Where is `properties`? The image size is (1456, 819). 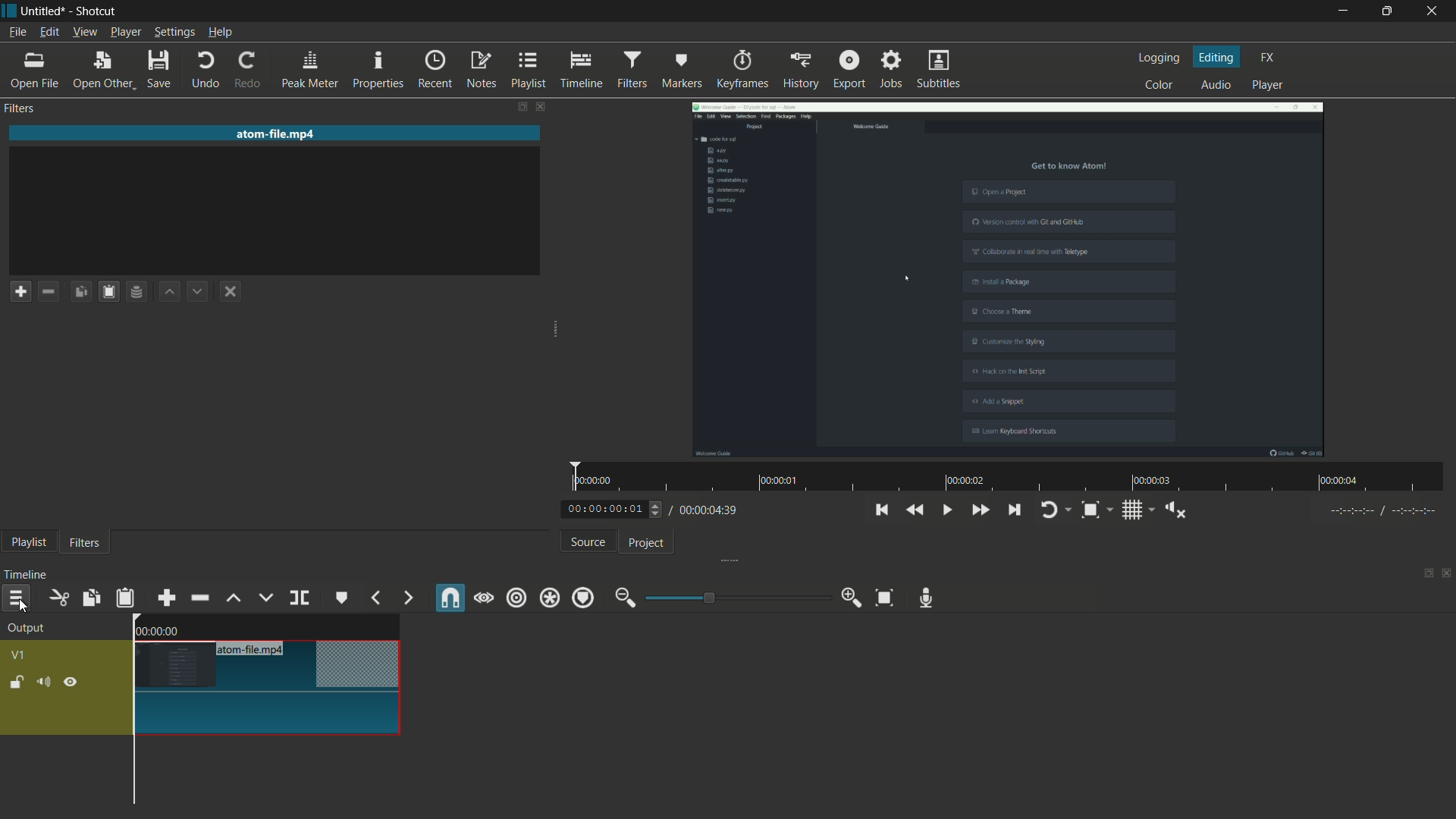
properties is located at coordinates (378, 67).